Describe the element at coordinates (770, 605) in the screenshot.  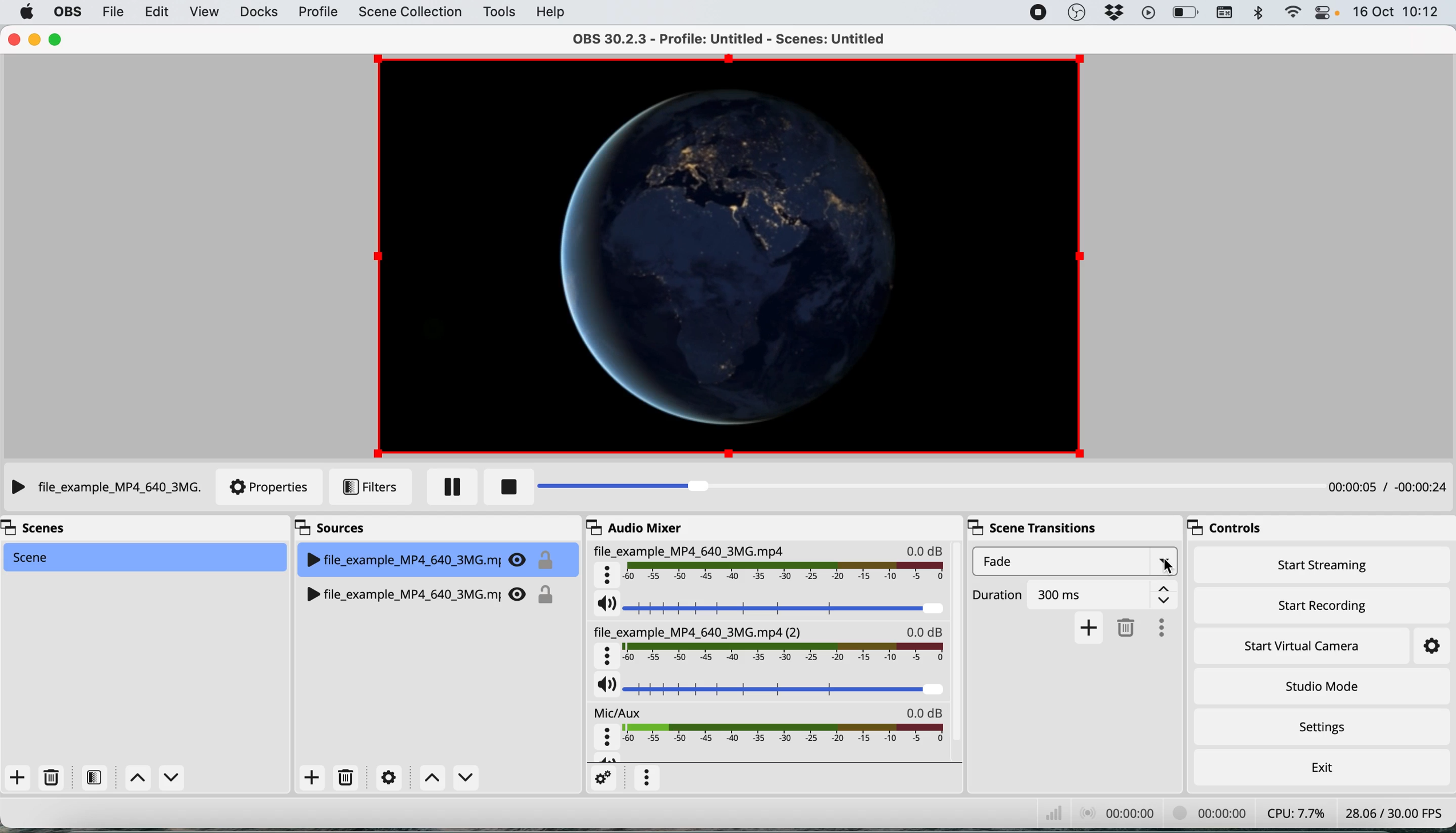
I see `current source audio volume` at that location.